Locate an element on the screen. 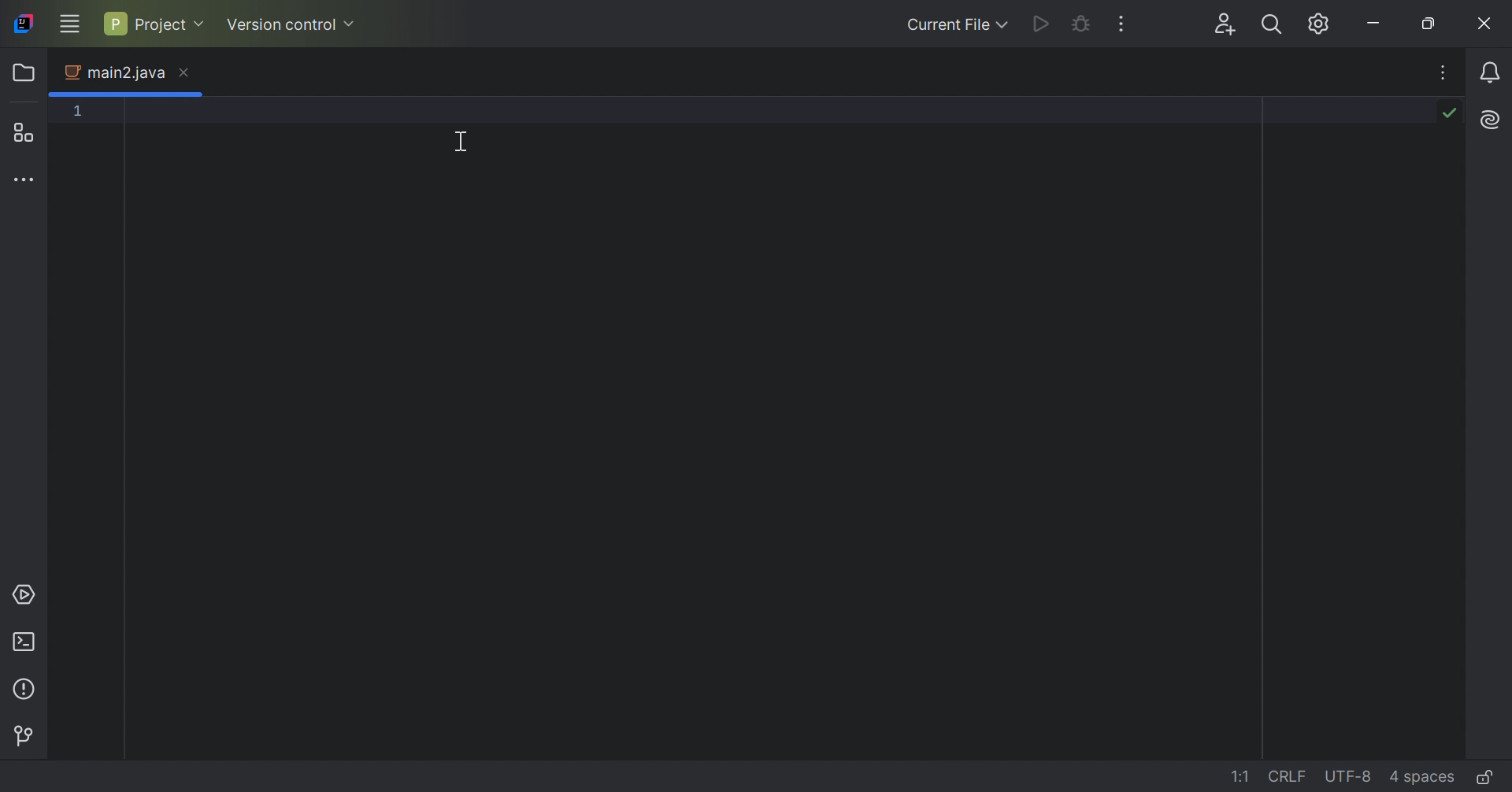 The width and height of the screenshot is (1512, 792). main2.java is located at coordinates (113, 73).